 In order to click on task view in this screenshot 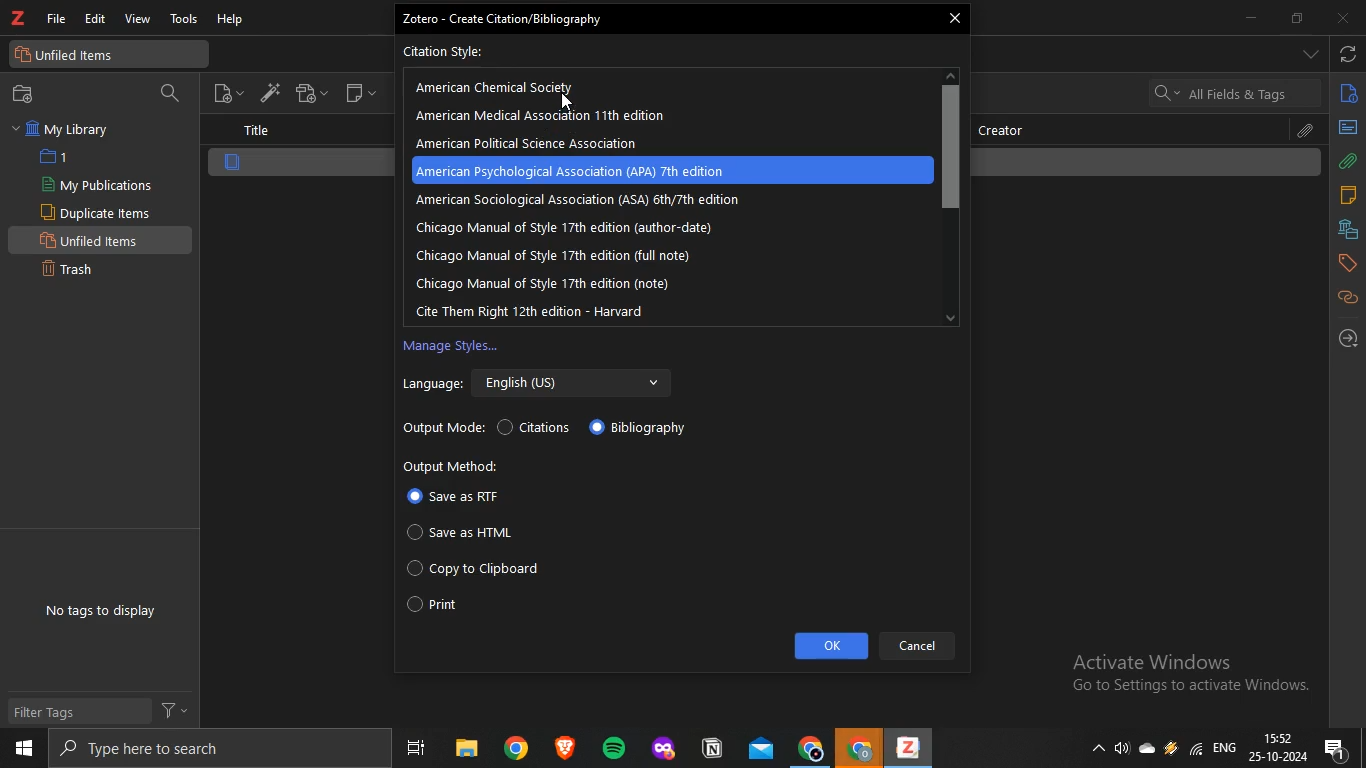, I will do `click(415, 748)`.